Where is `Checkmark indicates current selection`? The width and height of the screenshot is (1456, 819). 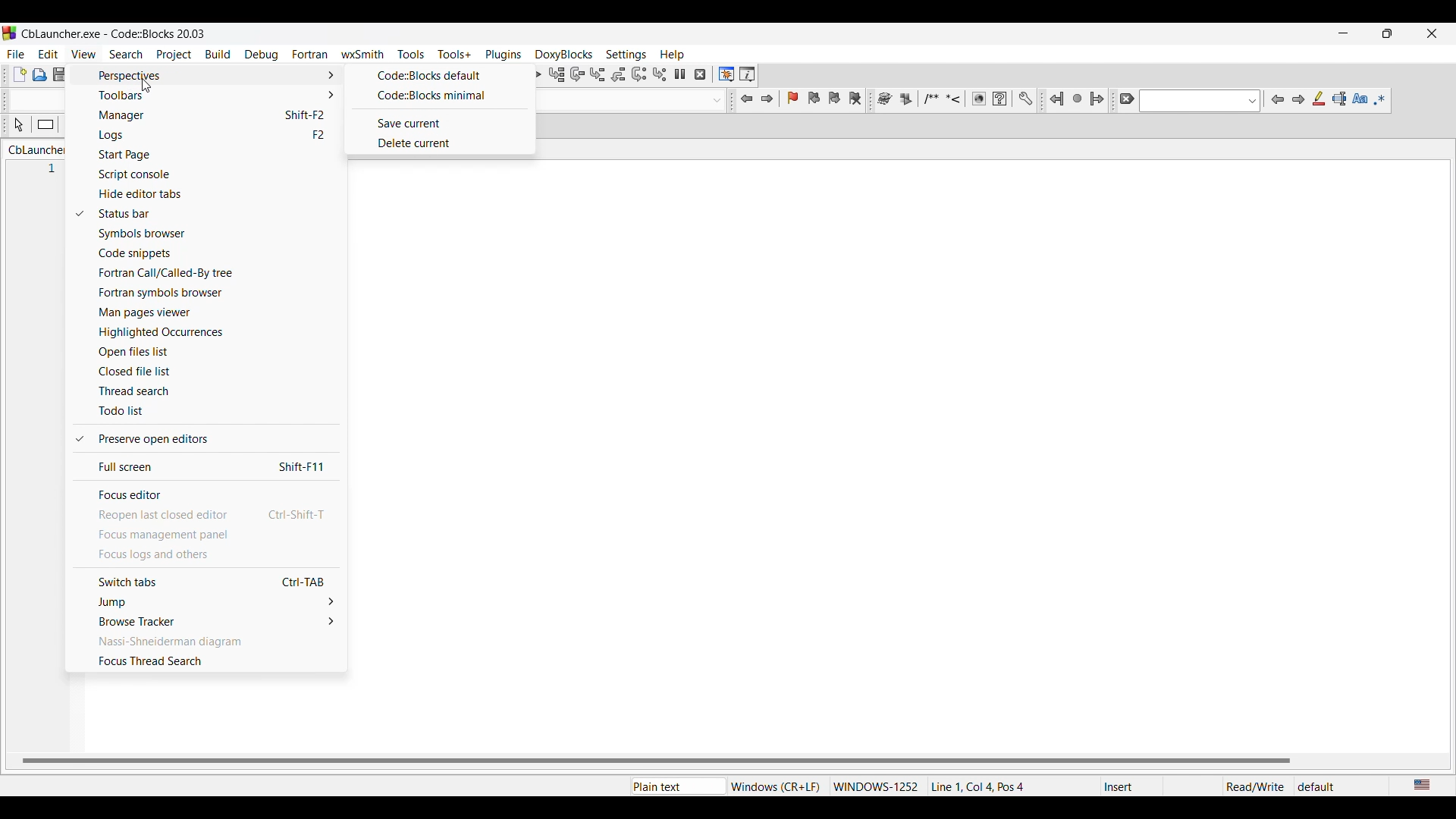
Checkmark indicates current selection is located at coordinates (79, 327).